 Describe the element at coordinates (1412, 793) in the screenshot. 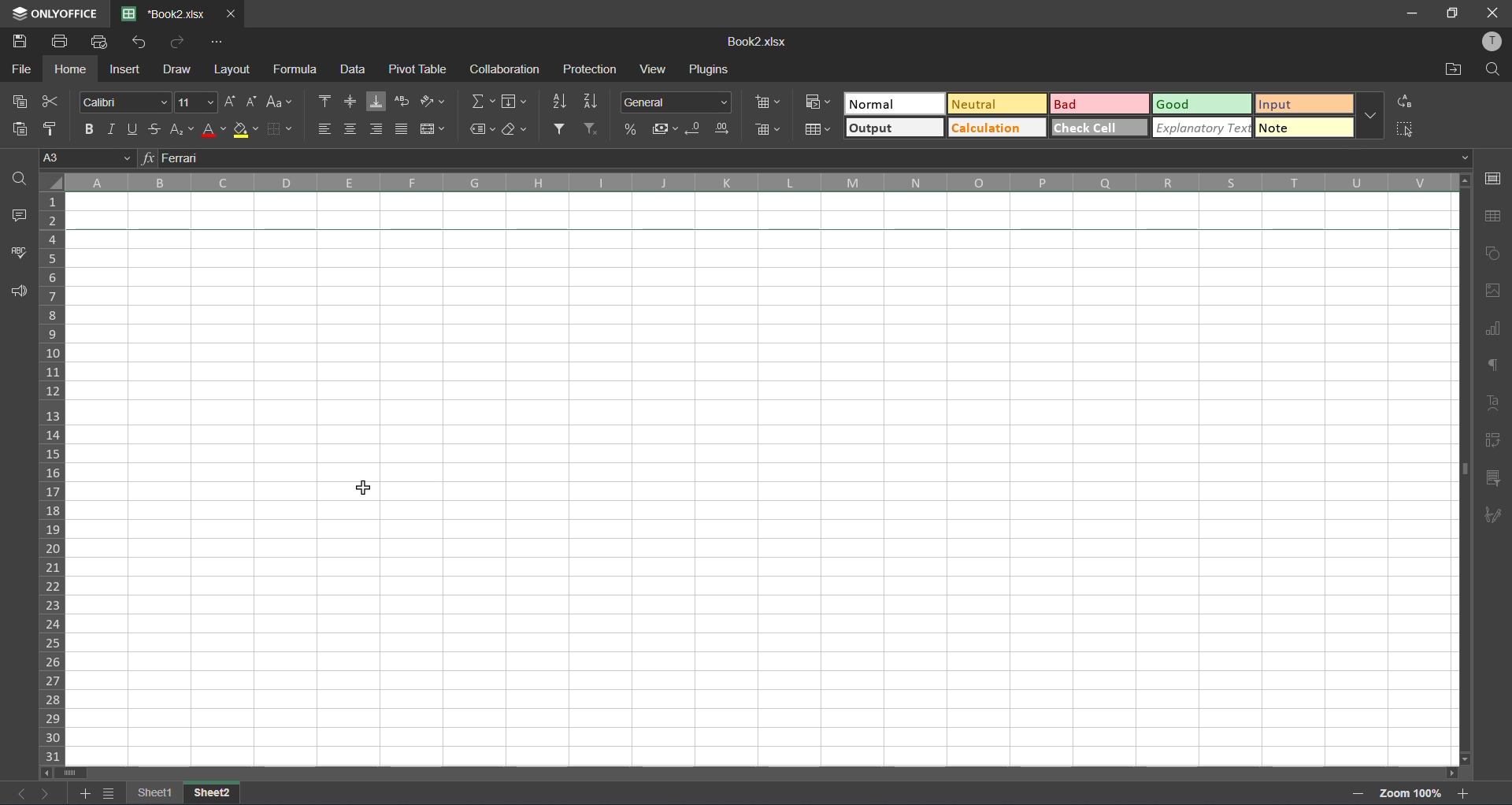

I see `zoom factor` at that location.